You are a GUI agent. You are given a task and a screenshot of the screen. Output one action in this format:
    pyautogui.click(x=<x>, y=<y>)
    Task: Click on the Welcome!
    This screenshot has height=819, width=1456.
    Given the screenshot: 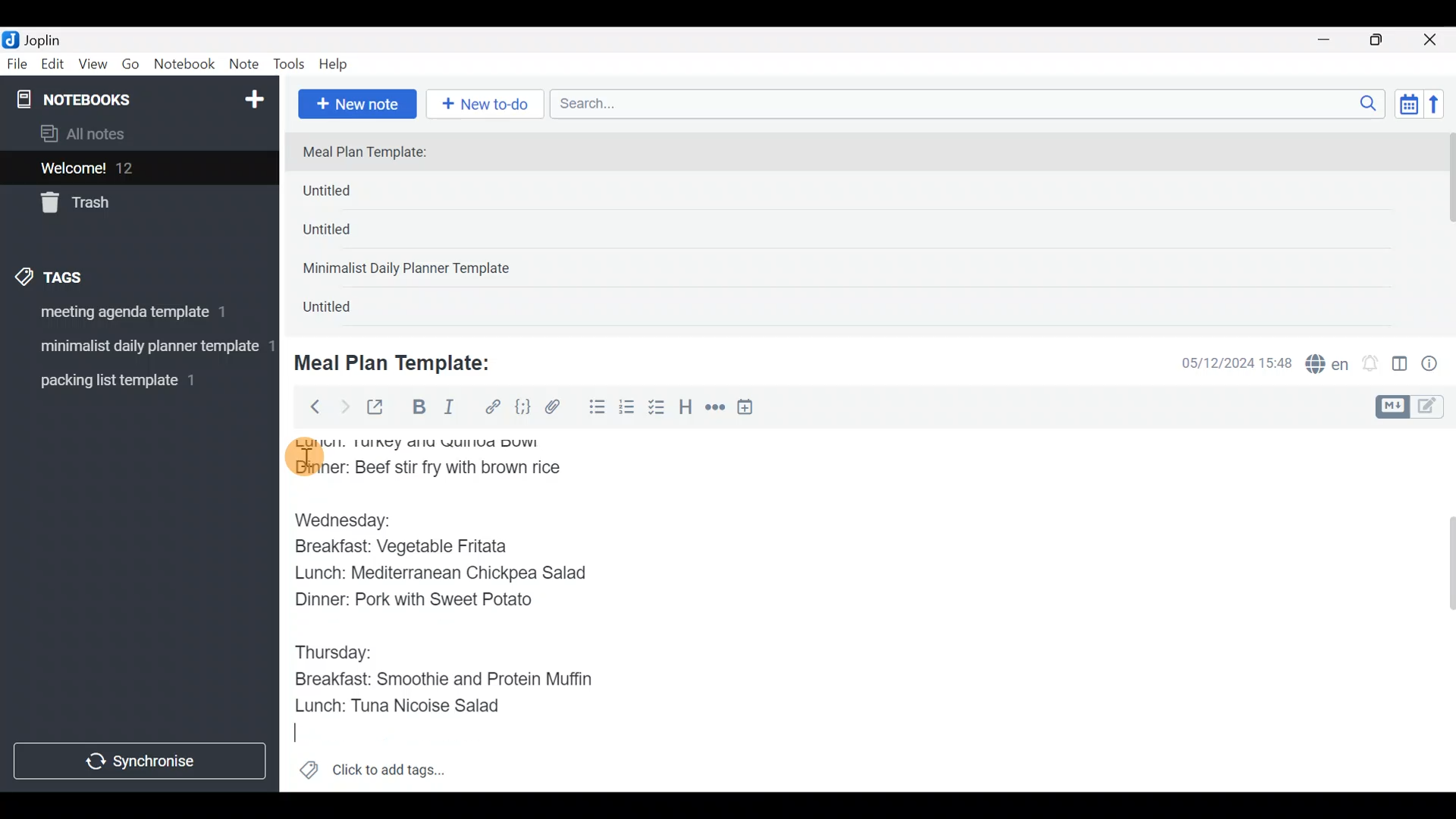 What is the action you would take?
    pyautogui.click(x=137, y=169)
    